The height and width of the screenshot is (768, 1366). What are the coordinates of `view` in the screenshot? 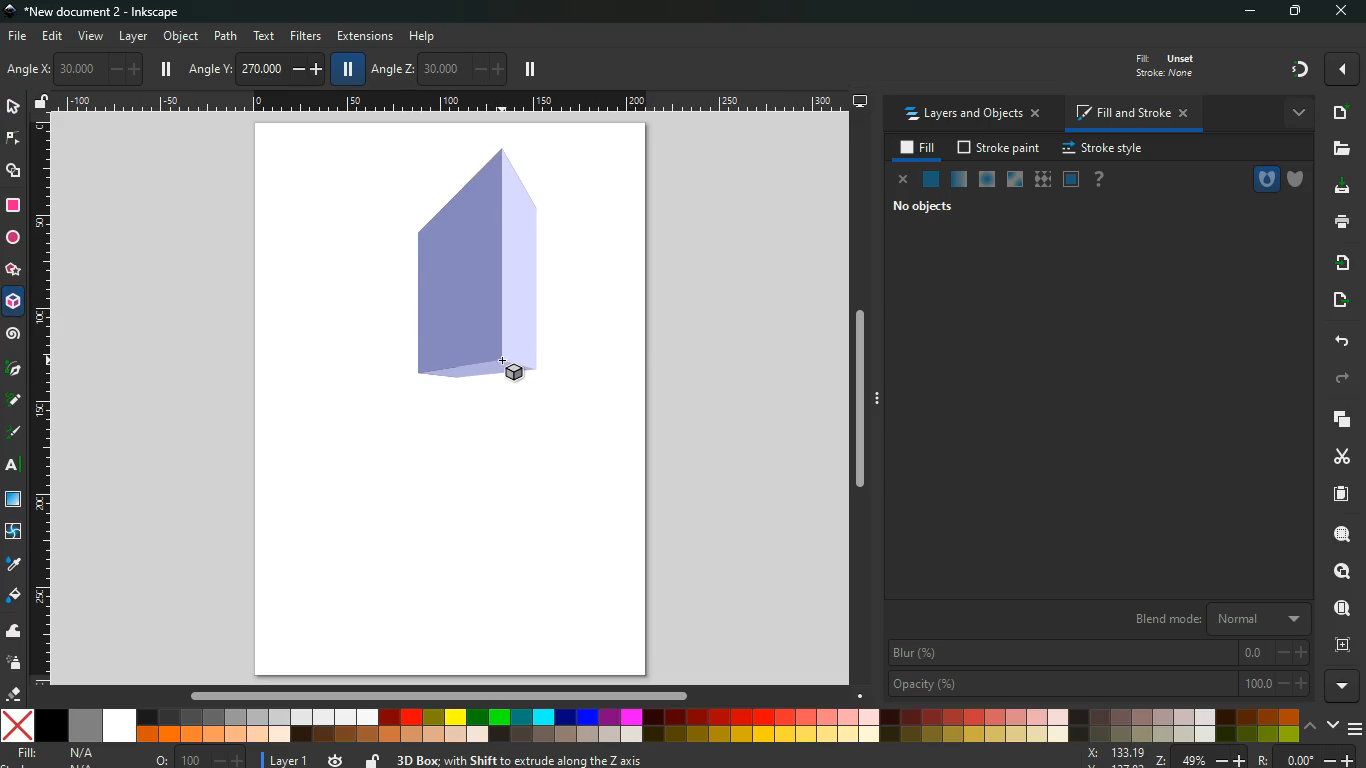 It's located at (92, 37).